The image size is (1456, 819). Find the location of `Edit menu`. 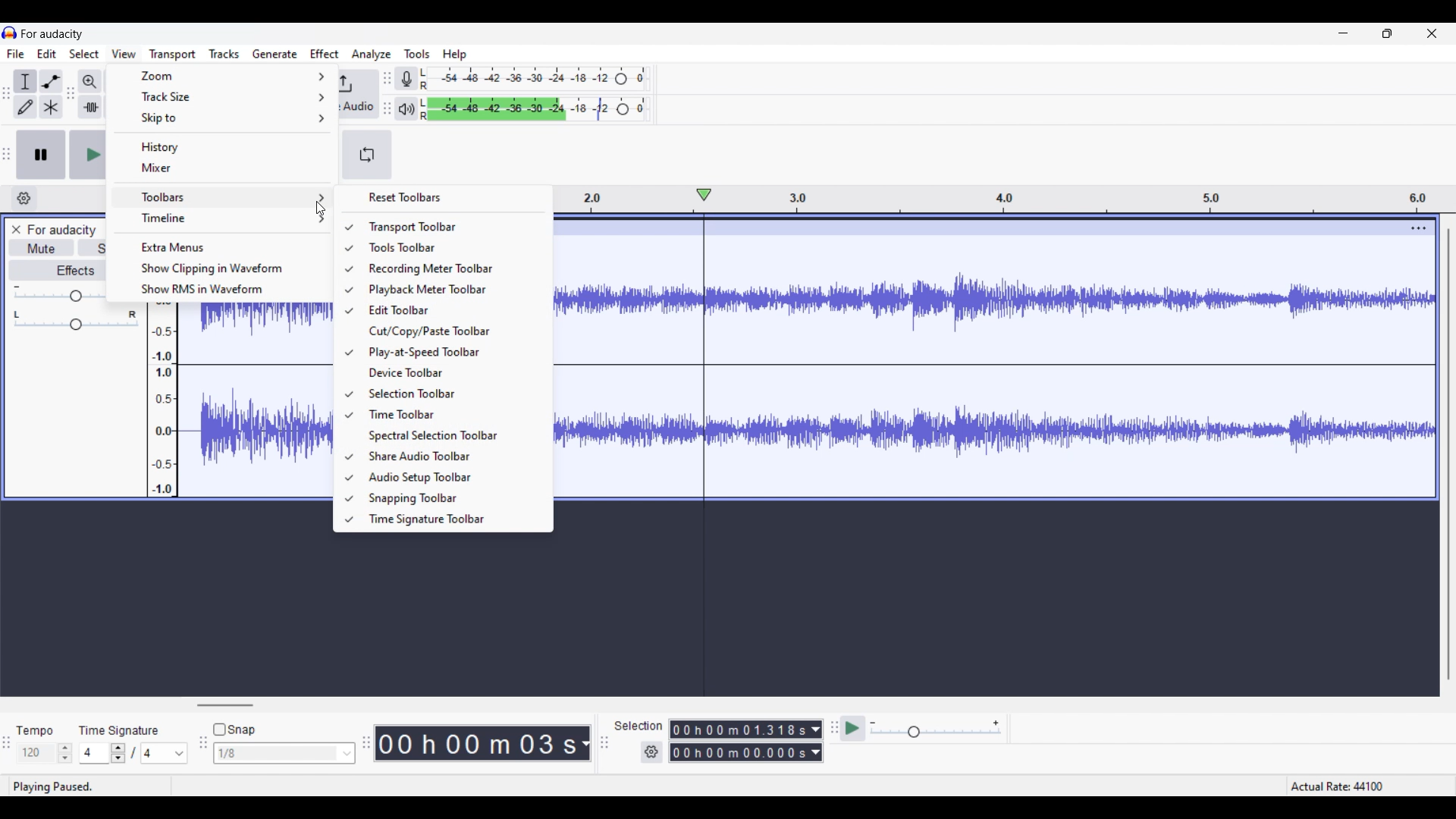

Edit menu is located at coordinates (47, 53).